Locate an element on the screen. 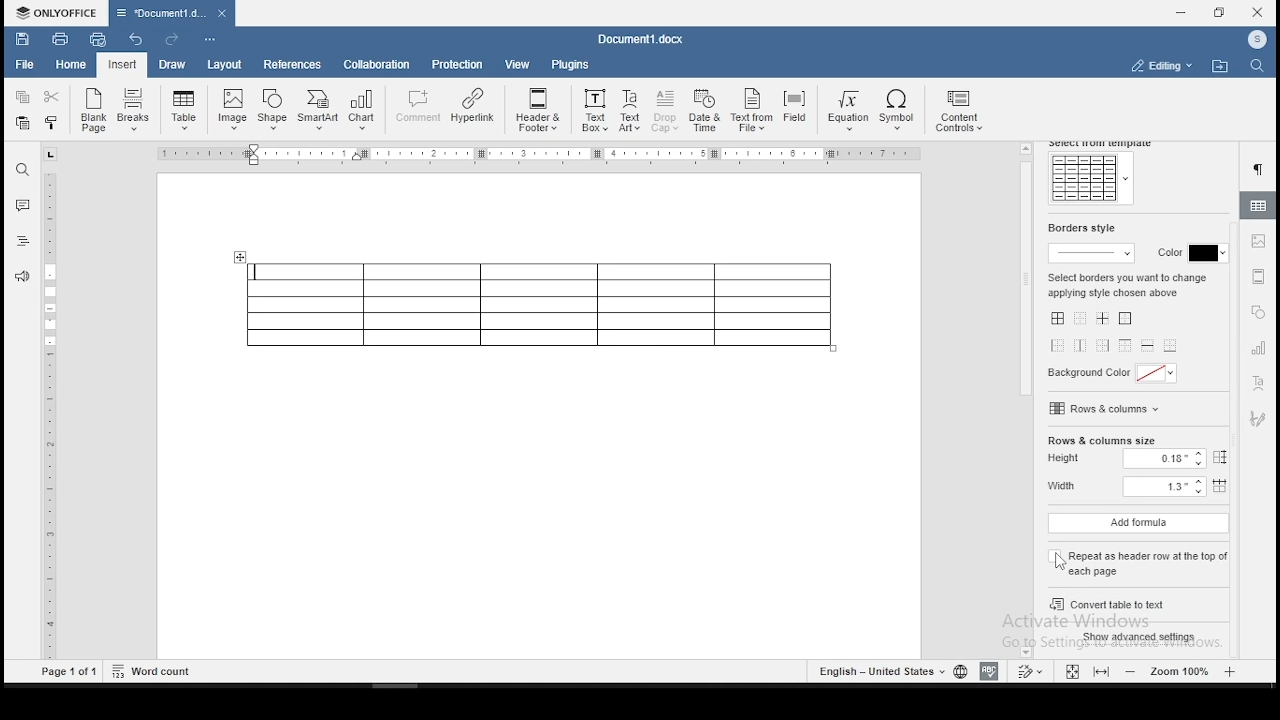 The height and width of the screenshot is (720, 1280). table style templates is located at coordinates (1090, 179).